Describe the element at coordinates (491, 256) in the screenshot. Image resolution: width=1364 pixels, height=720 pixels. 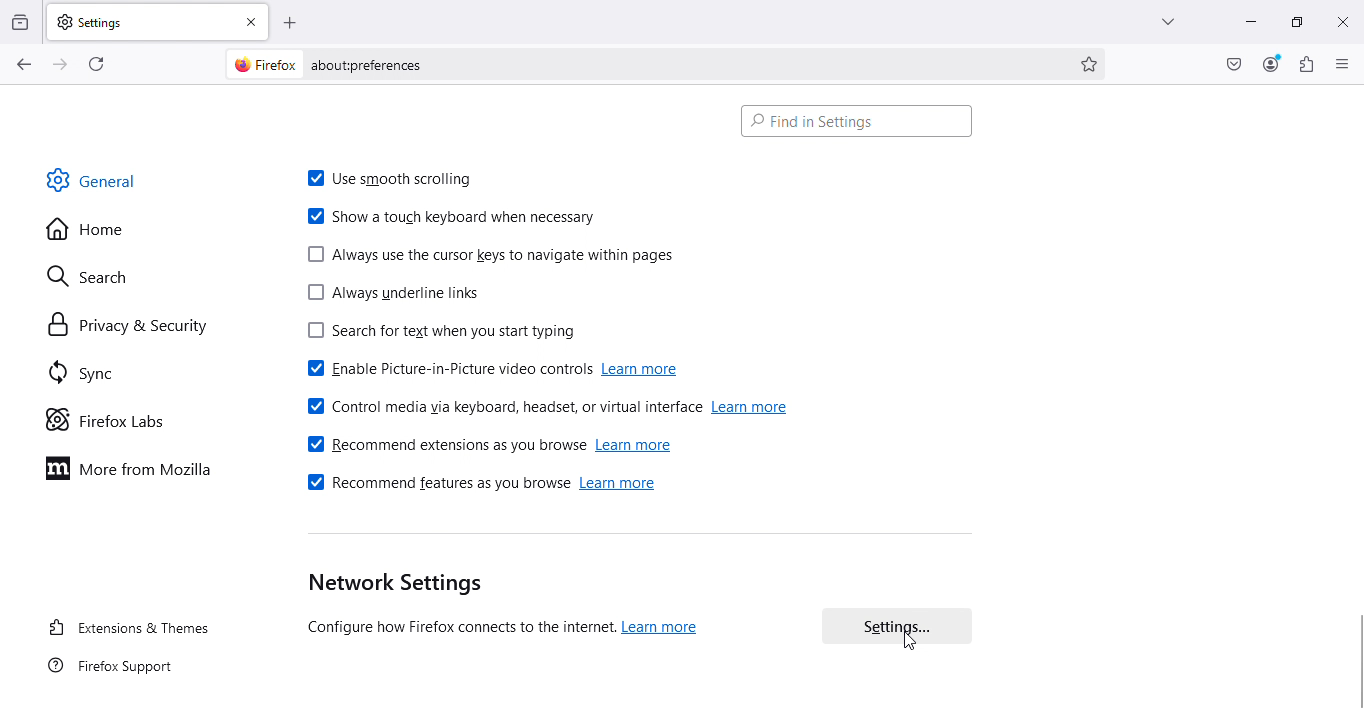
I see `Always use the cursor keys to navigate within pages` at that location.